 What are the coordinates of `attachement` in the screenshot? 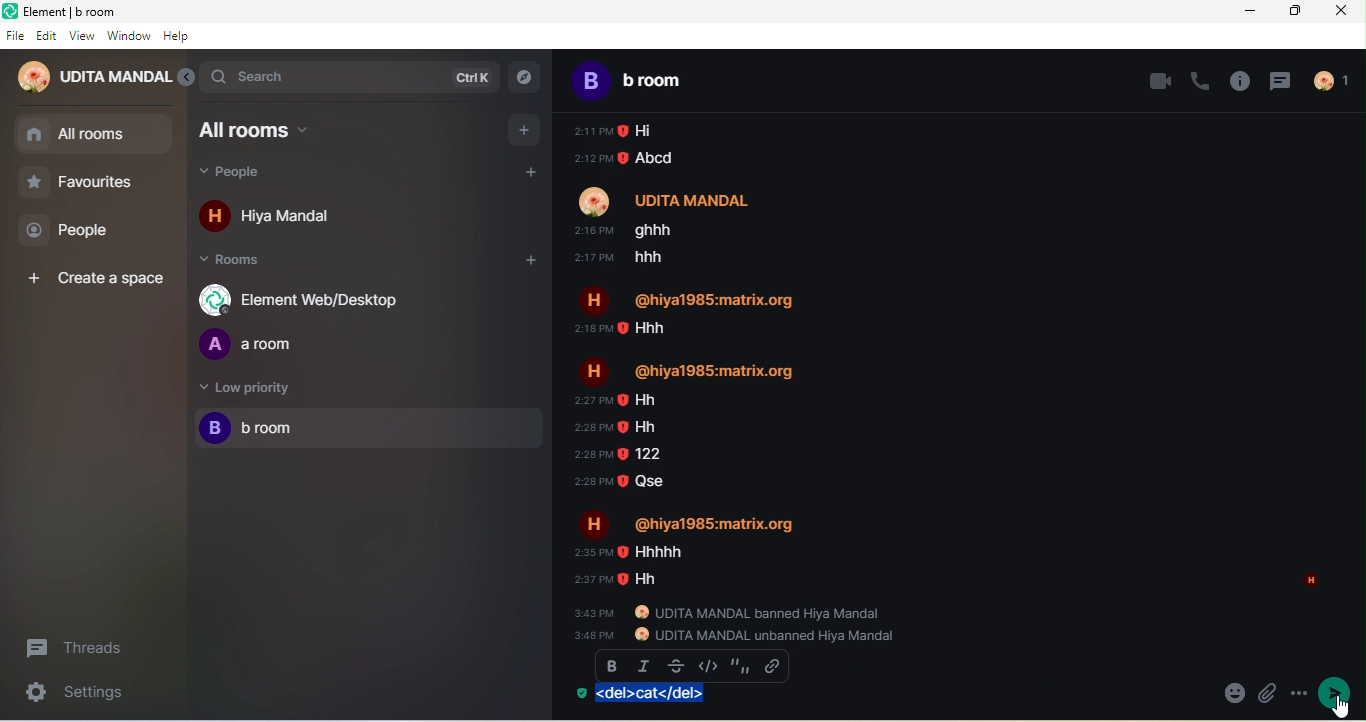 It's located at (1235, 694).